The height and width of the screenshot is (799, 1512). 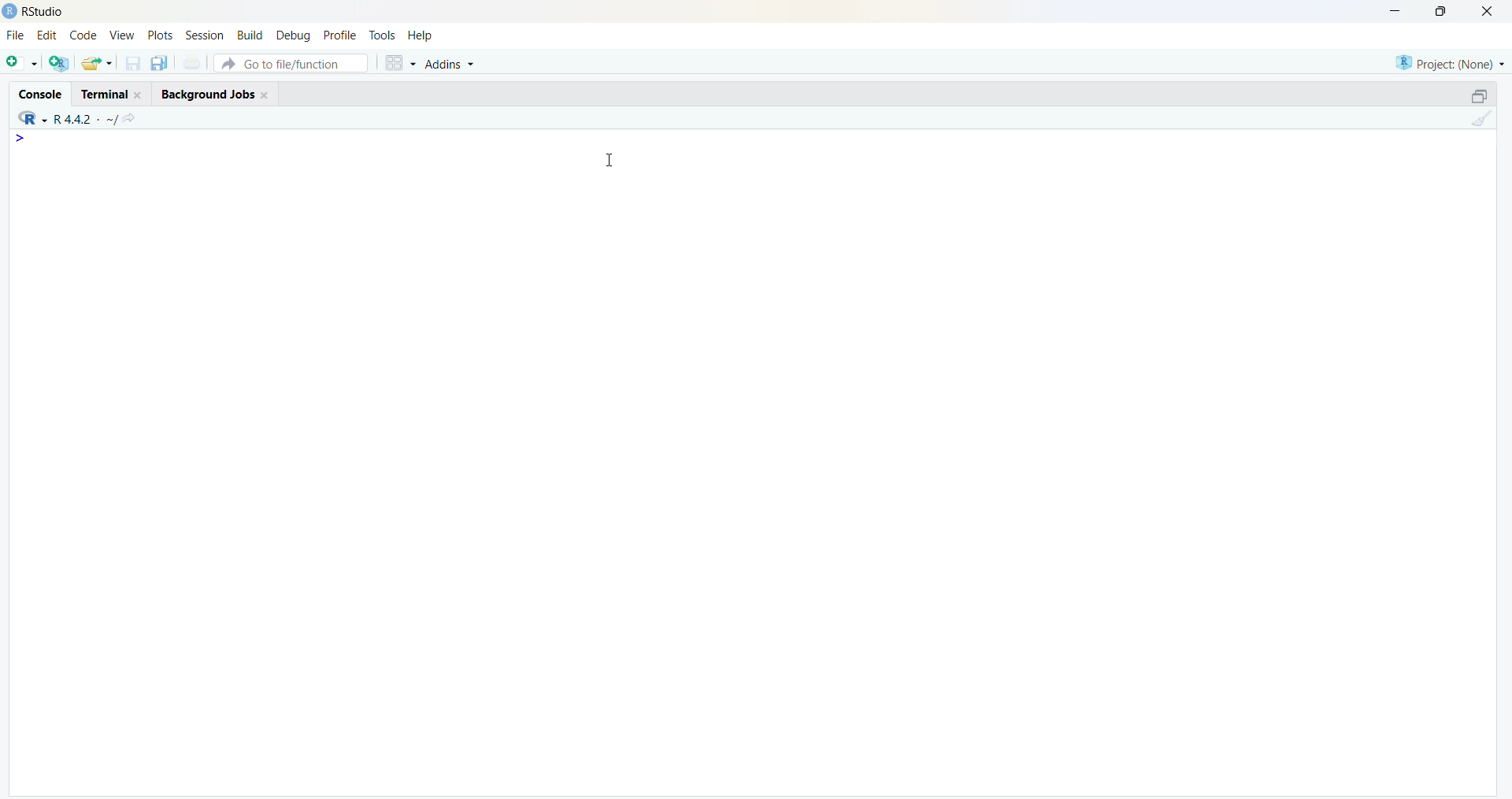 What do you see at coordinates (206, 95) in the screenshot?
I see `Background jobs` at bounding box center [206, 95].